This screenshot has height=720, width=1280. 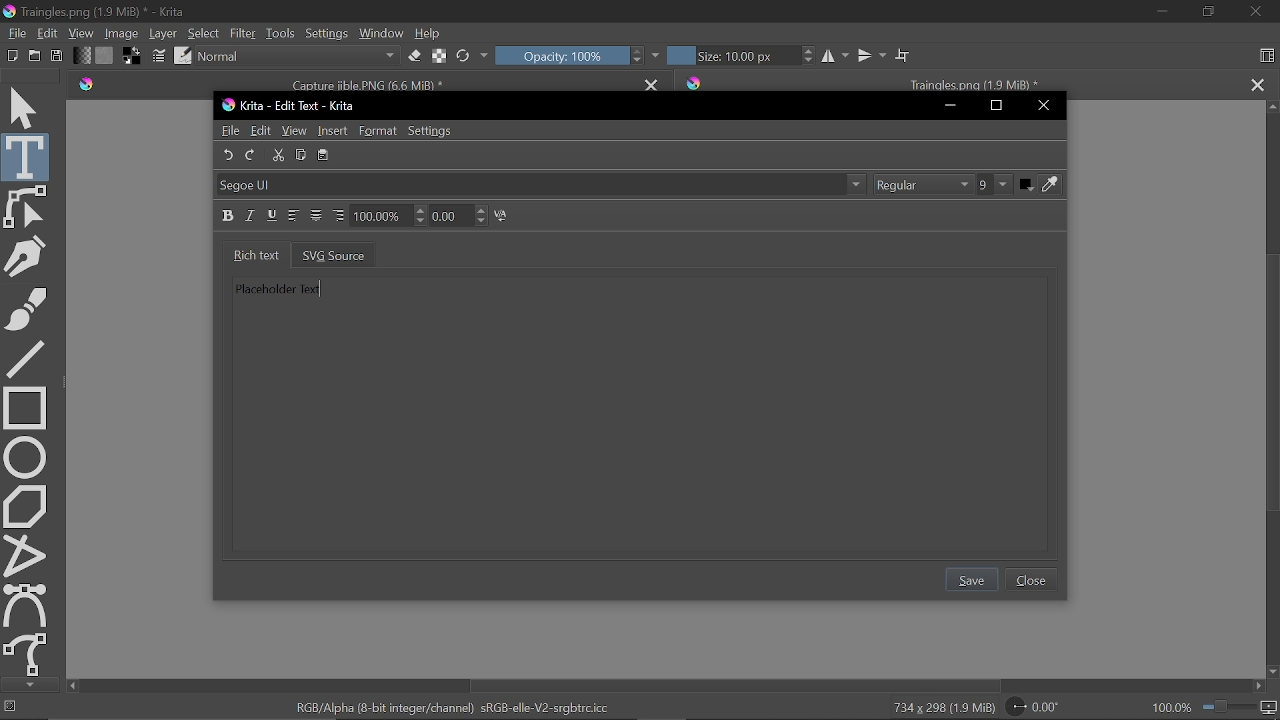 I want to click on View, so click(x=83, y=33).